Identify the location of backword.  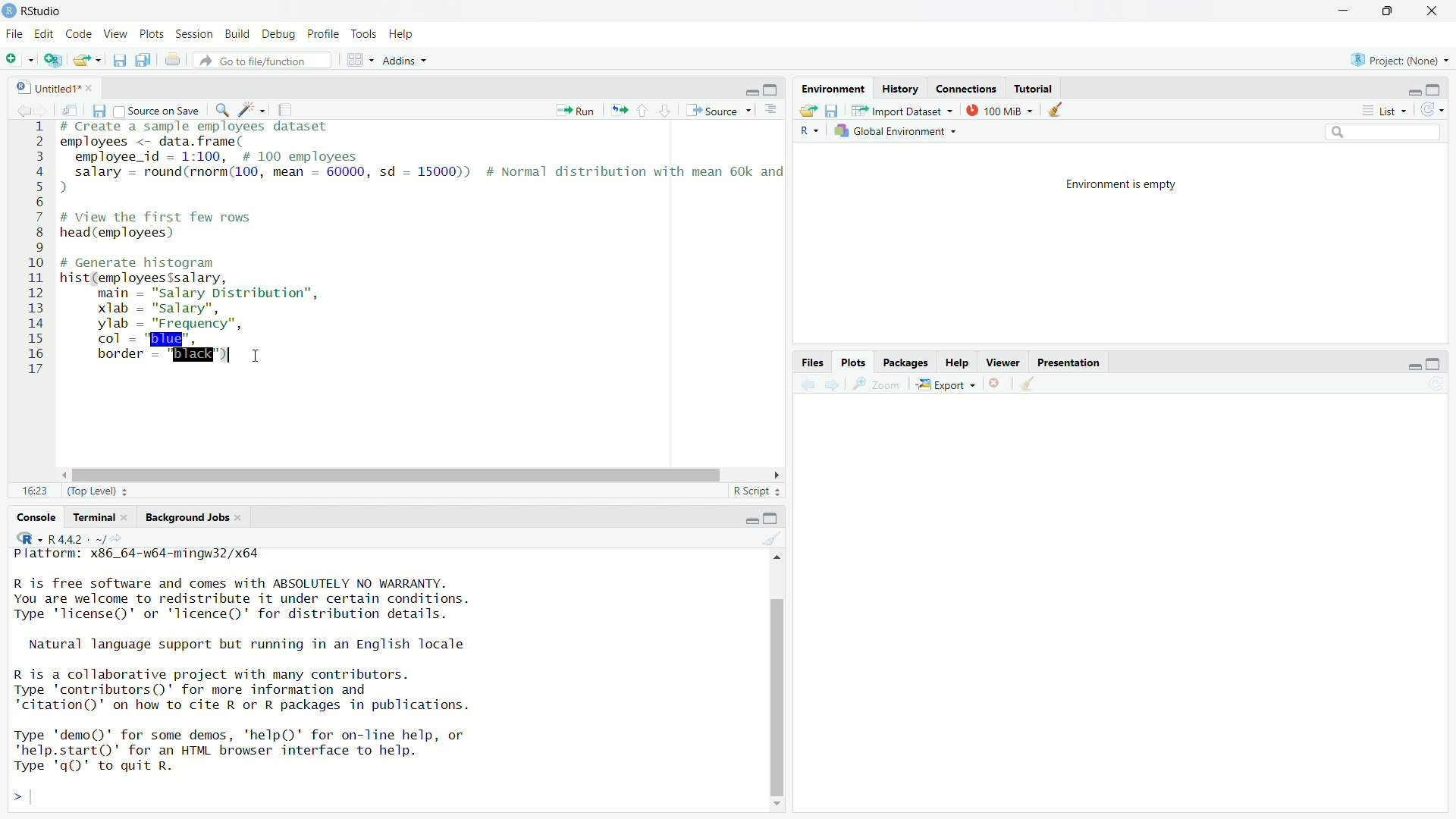
(21, 110).